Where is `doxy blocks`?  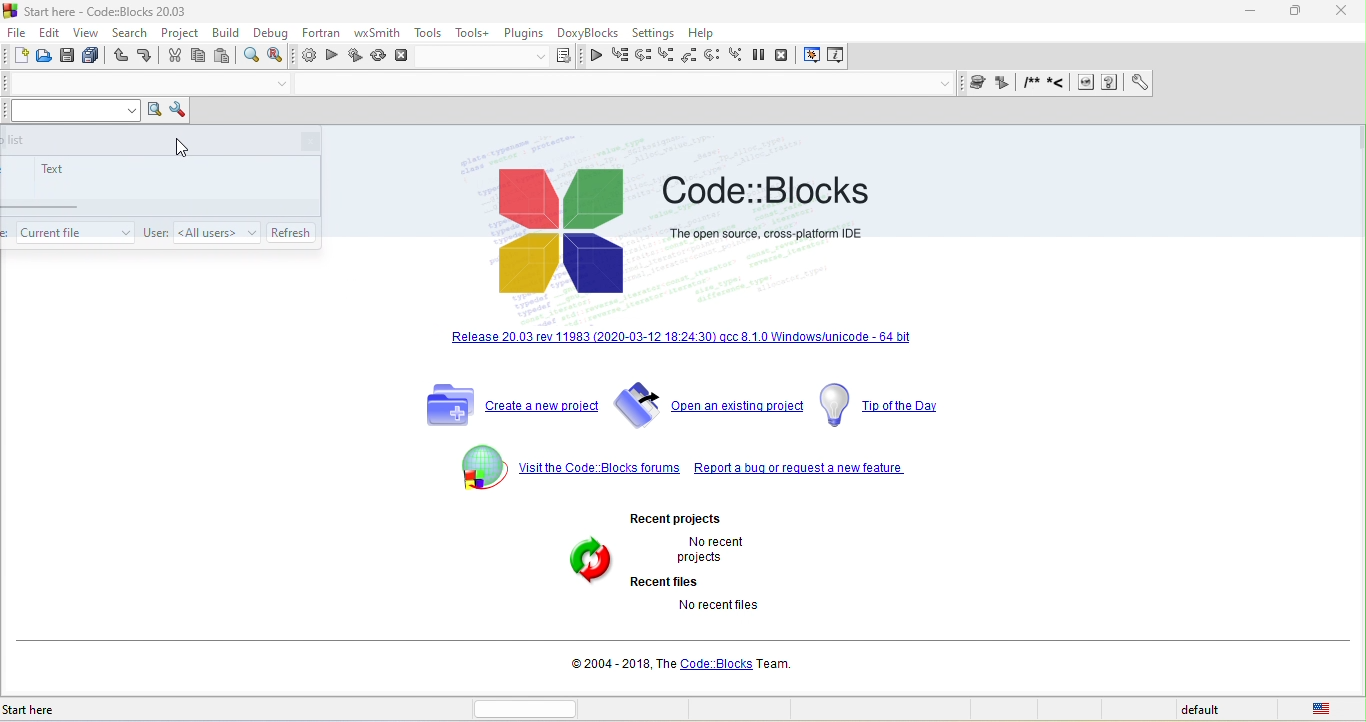 doxy blocks is located at coordinates (585, 34).